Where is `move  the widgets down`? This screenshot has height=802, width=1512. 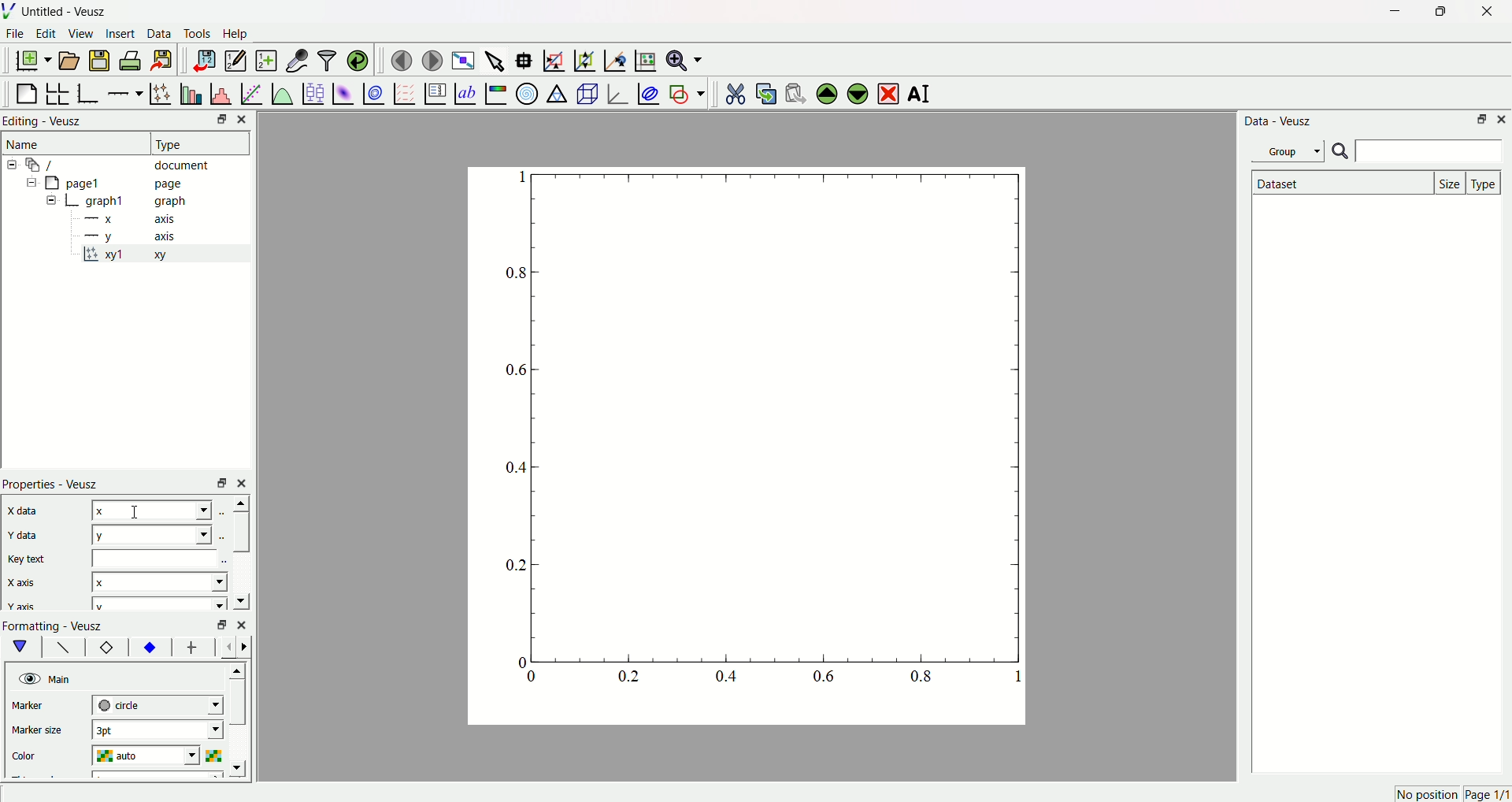 move  the widgets down is located at coordinates (855, 93).